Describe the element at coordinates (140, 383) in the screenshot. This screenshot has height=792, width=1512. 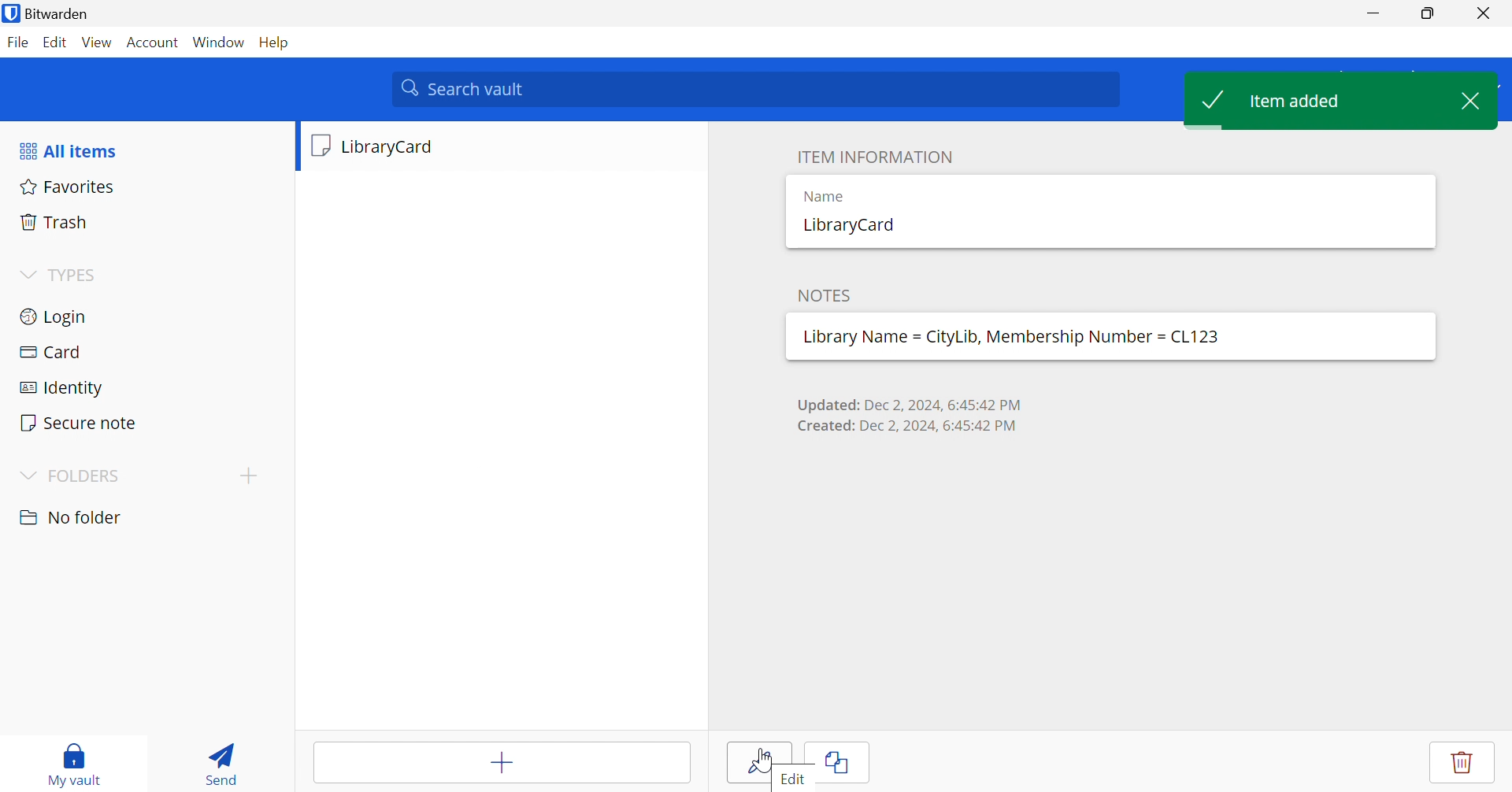
I see `Identity` at that location.